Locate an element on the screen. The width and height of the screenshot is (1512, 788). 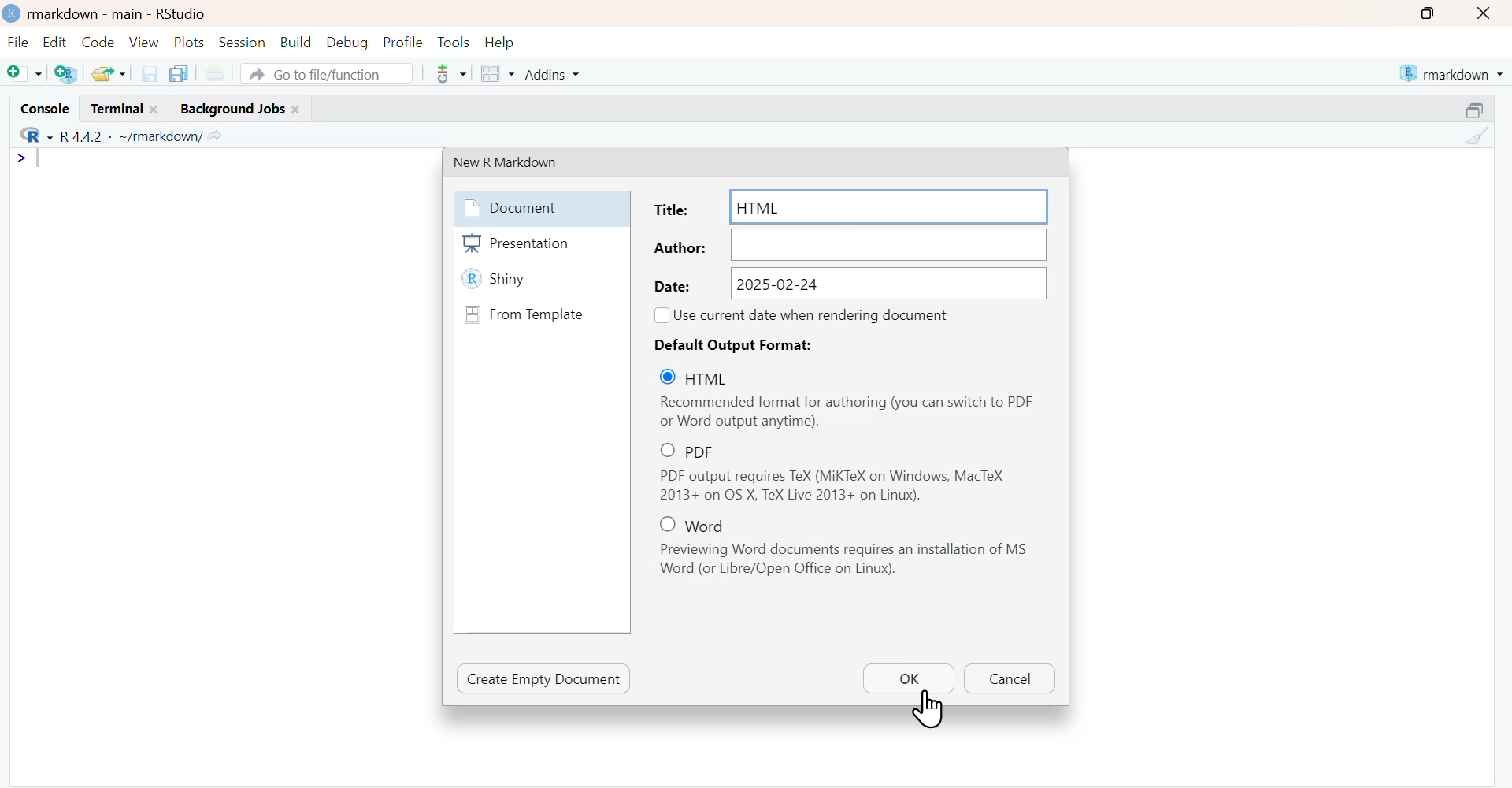
Logo is located at coordinates (13, 14).